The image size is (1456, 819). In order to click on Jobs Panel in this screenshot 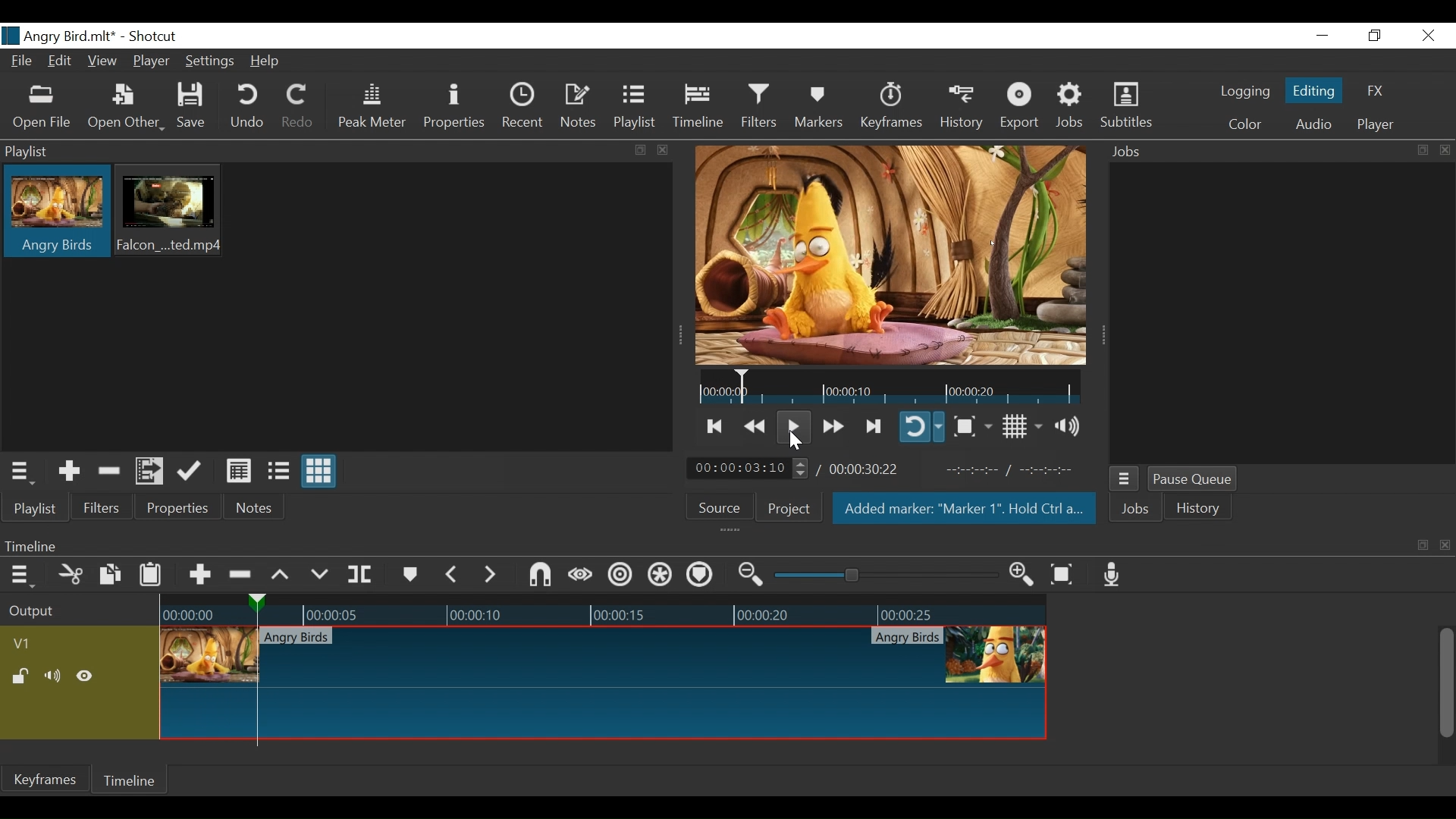, I will do `click(1277, 150)`.